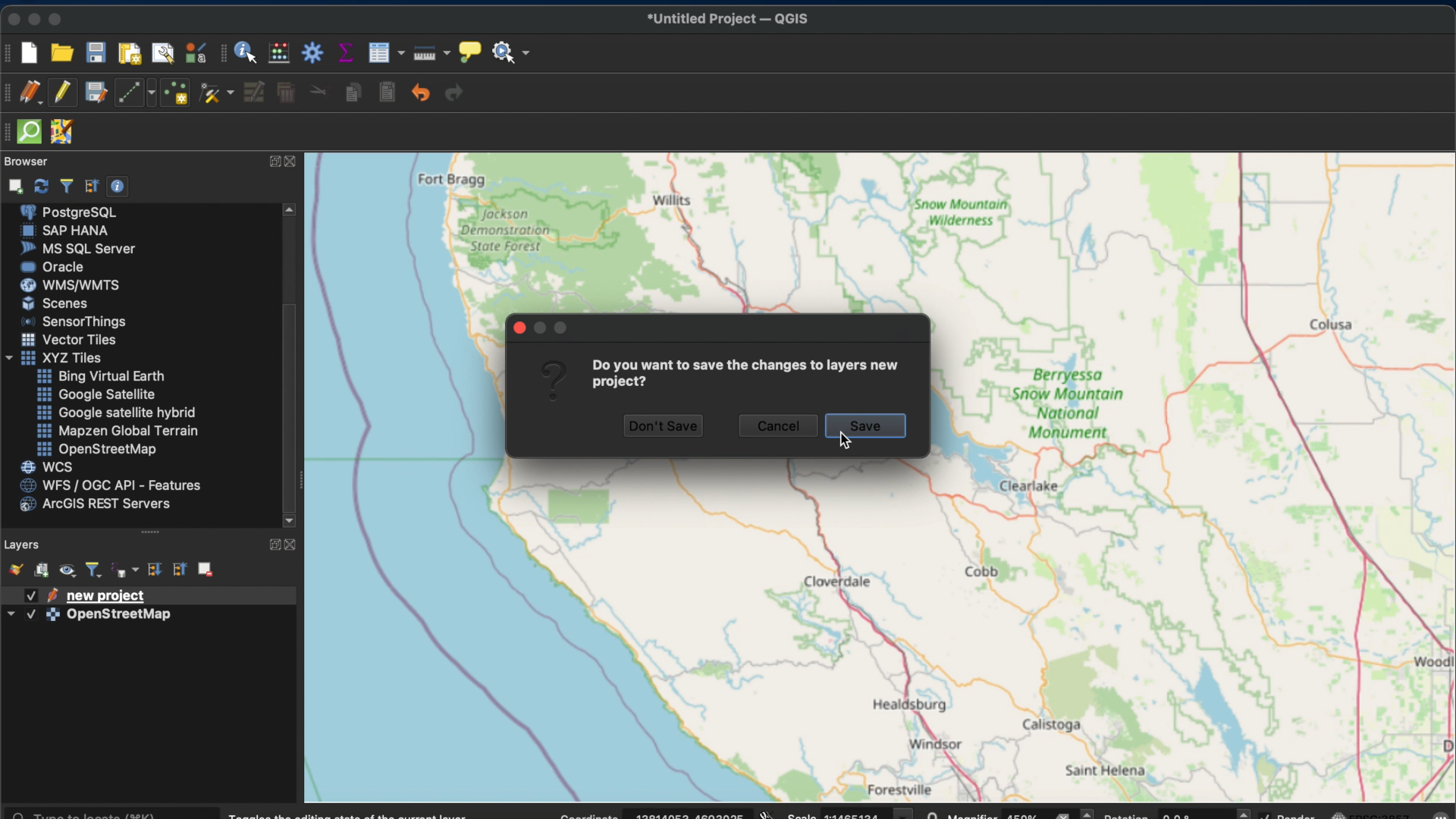  What do you see at coordinates (428, 53) in the screenshot?
I see `measure line` at bounding box center [428, 53].